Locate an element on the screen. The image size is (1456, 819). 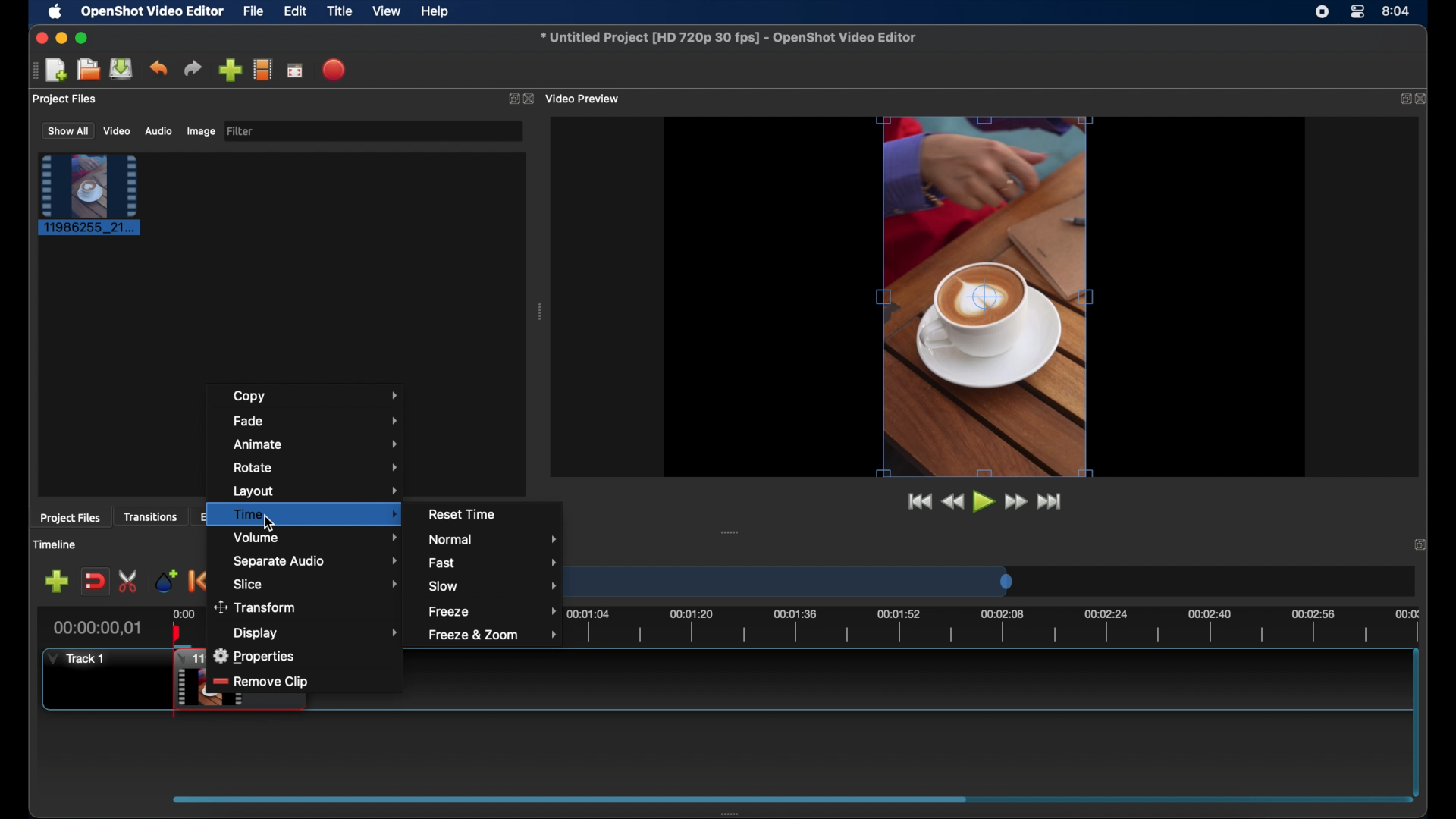
current time indicator is located at coordinates (98, 628).